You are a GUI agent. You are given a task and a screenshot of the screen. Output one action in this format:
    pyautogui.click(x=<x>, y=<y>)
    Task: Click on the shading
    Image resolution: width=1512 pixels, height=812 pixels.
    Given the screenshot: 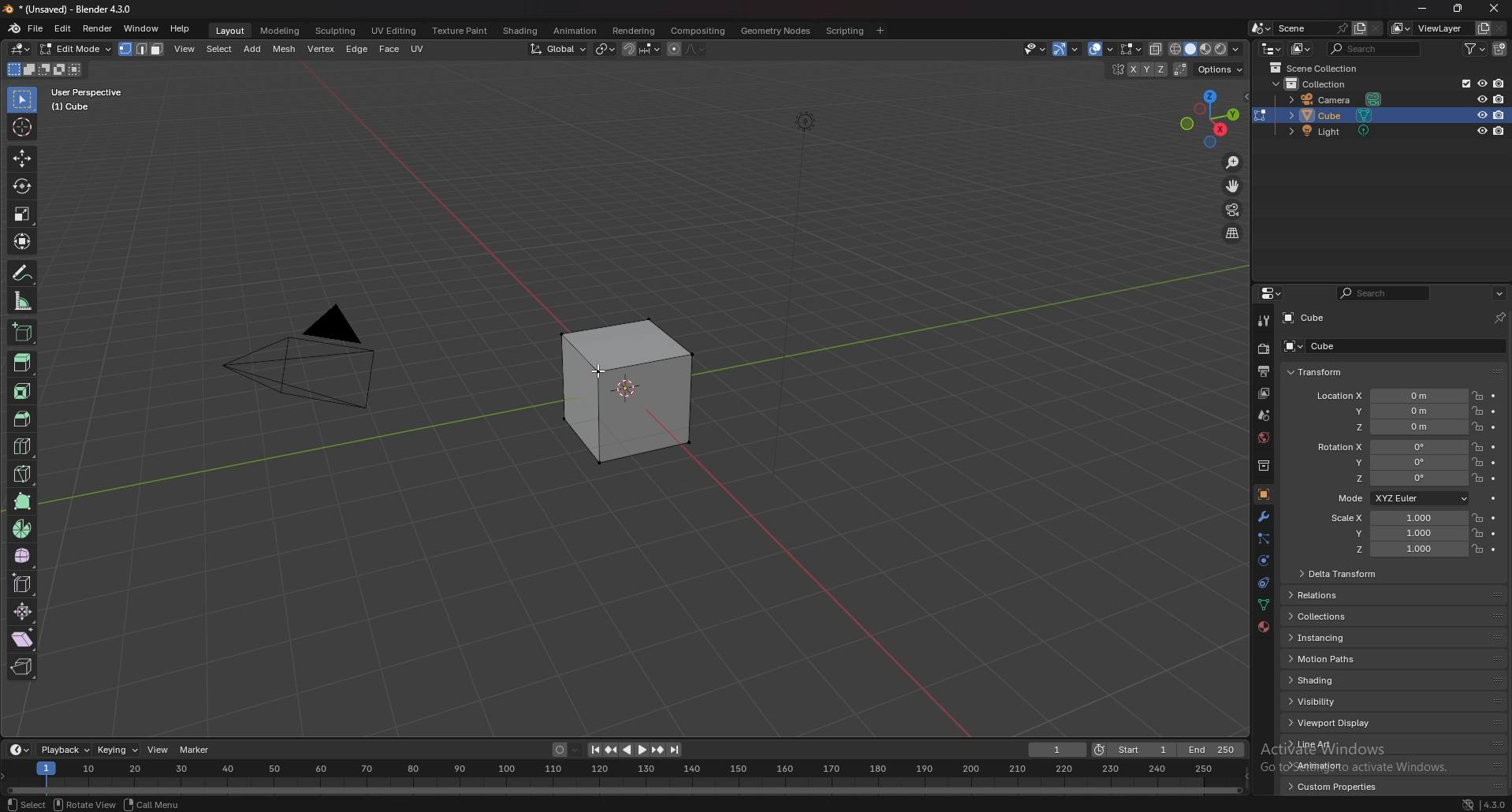 What is the action you would take?
    pyautogui.click(x=521, y=32)
    